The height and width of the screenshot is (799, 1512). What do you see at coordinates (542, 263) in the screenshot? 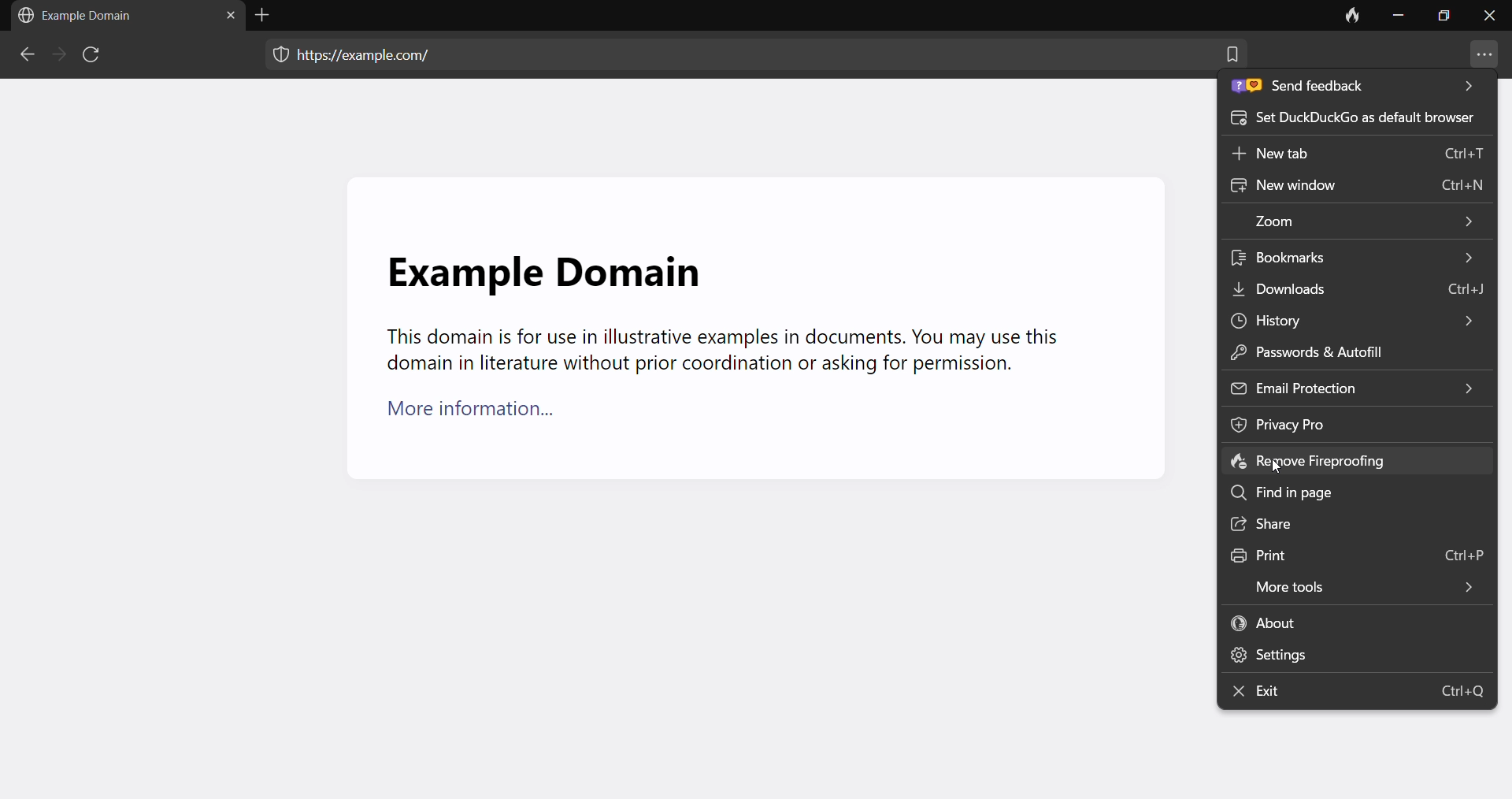
I see `Example Domain` at bounding box center [542, 263].